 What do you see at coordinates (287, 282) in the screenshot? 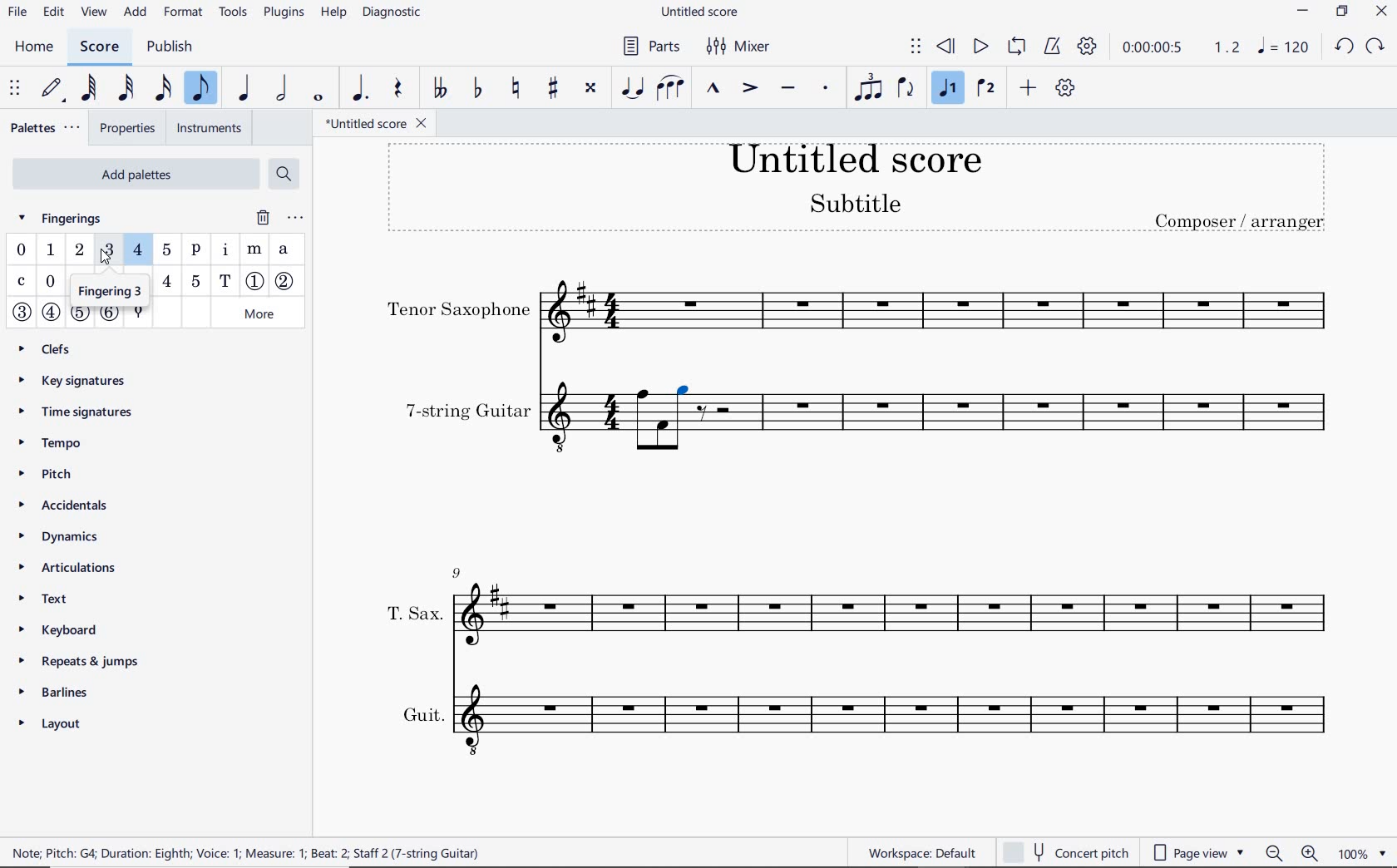
I see `string number 2` at bounding box center [287, 282].